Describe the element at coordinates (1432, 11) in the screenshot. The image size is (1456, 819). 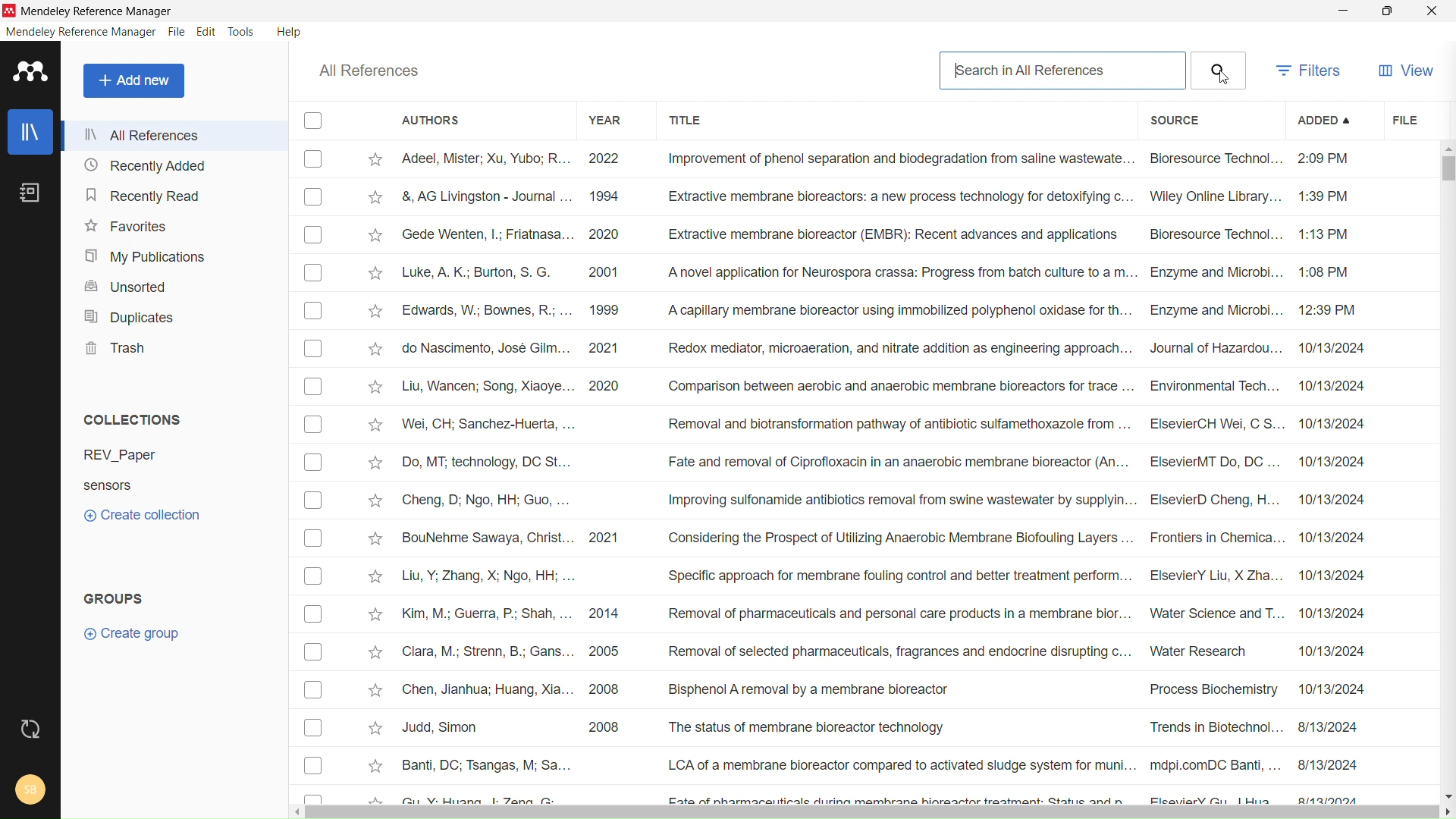
I see `close` at that location.